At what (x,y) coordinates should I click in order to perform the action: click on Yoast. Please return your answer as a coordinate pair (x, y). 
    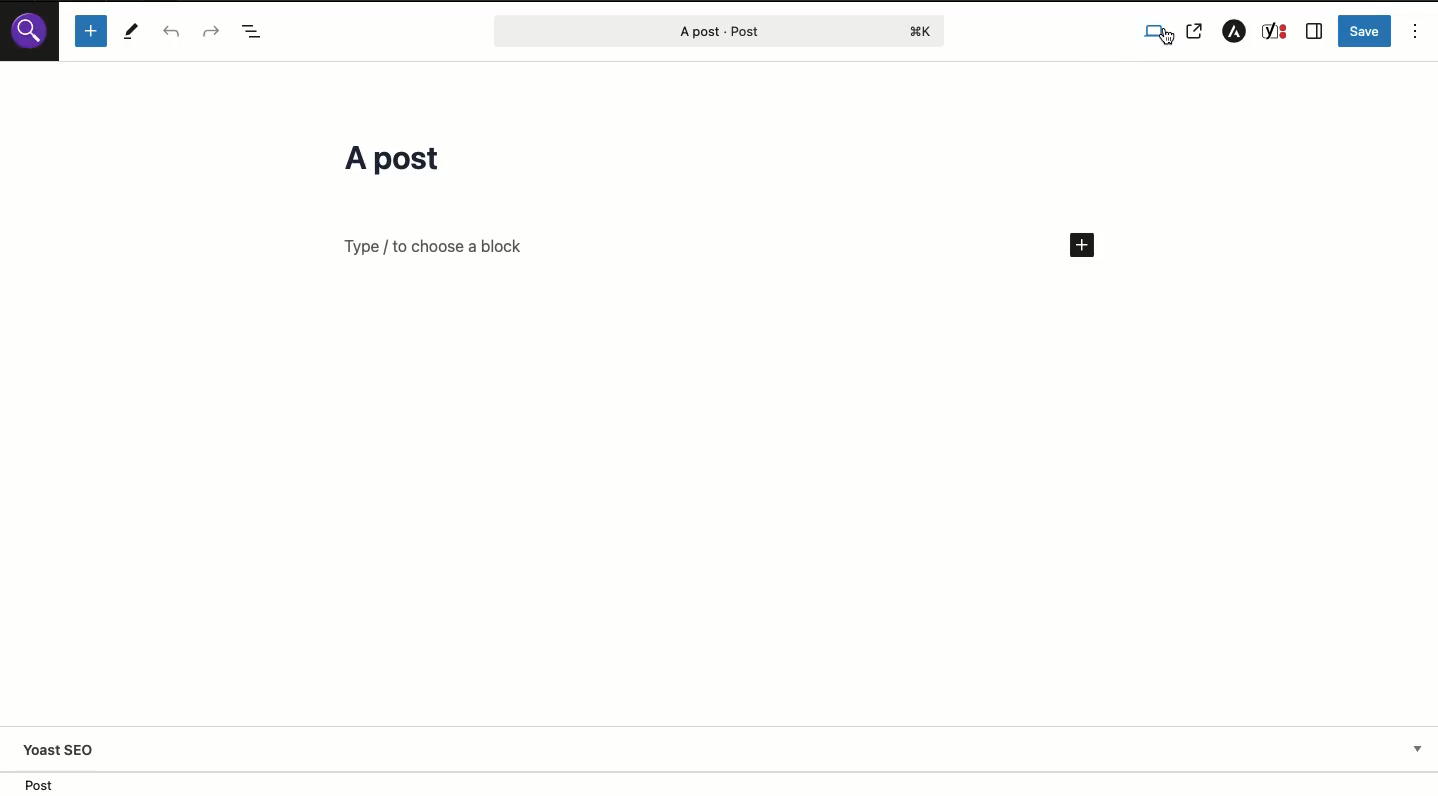
    Looking at the image, I should click on (1275, 33).